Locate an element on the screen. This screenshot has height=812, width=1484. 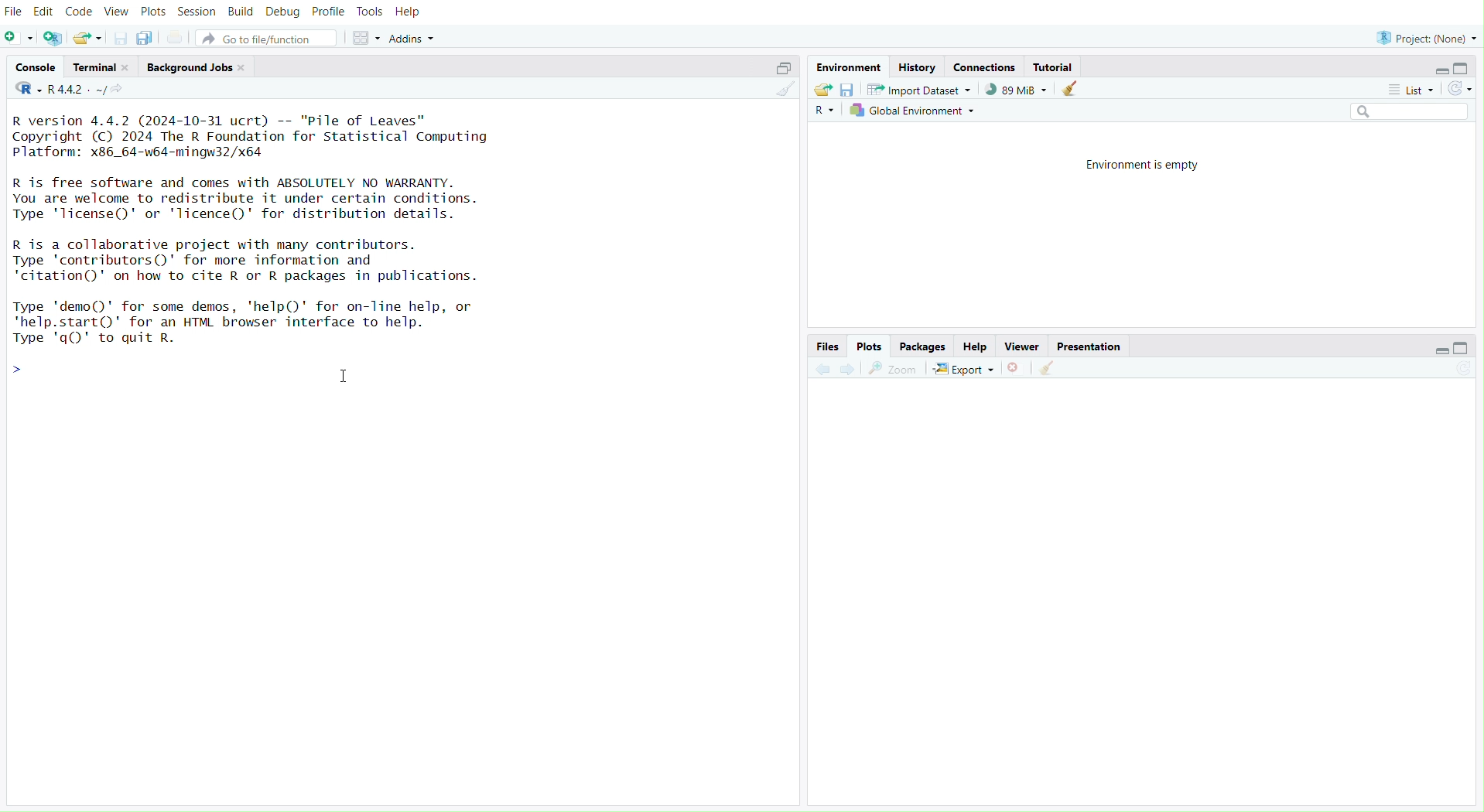
Load workspace is located at coordinates (824, 90).